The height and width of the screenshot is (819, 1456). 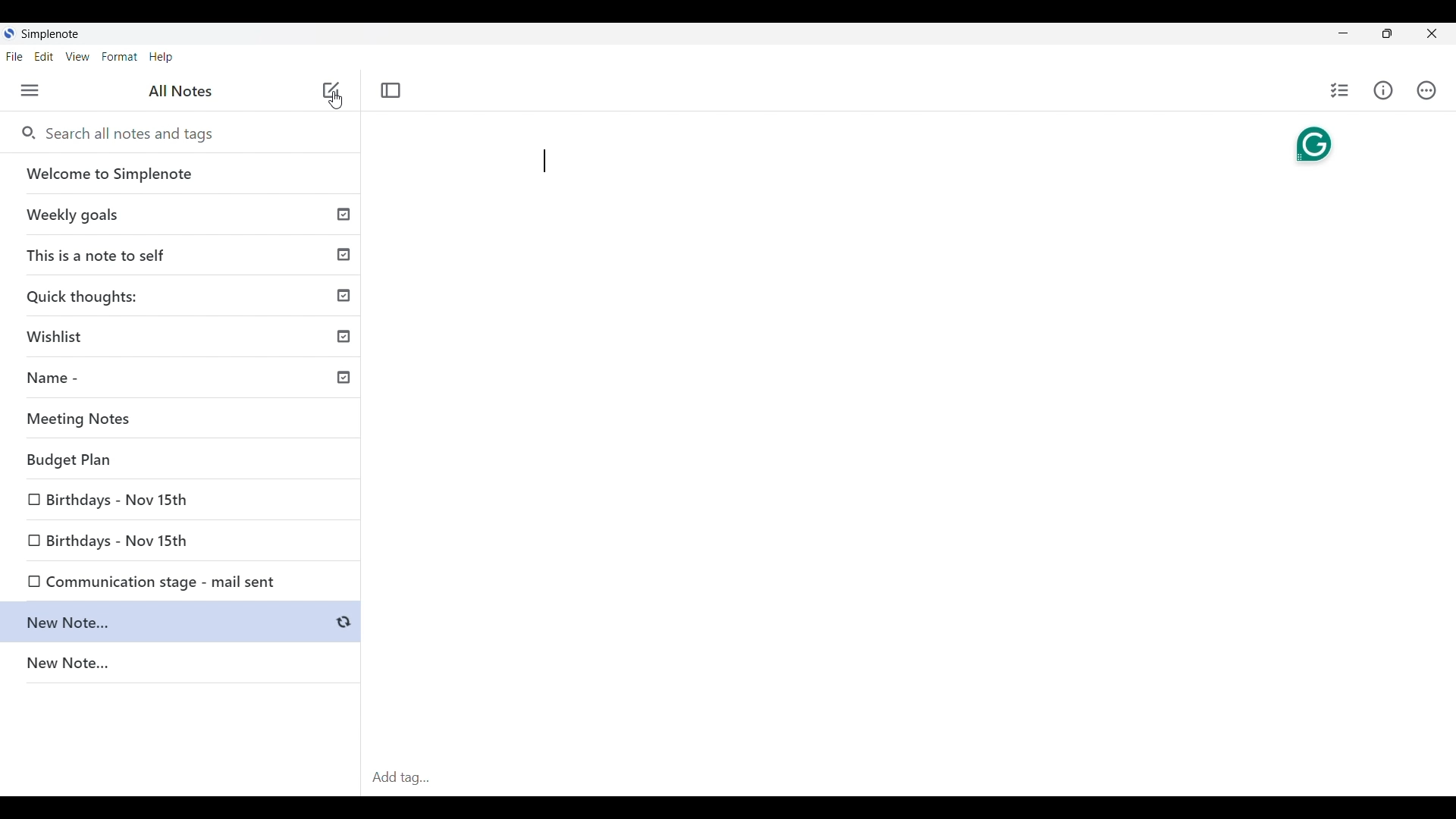 I want to click on Close interface, so click(x=1432, y=33).